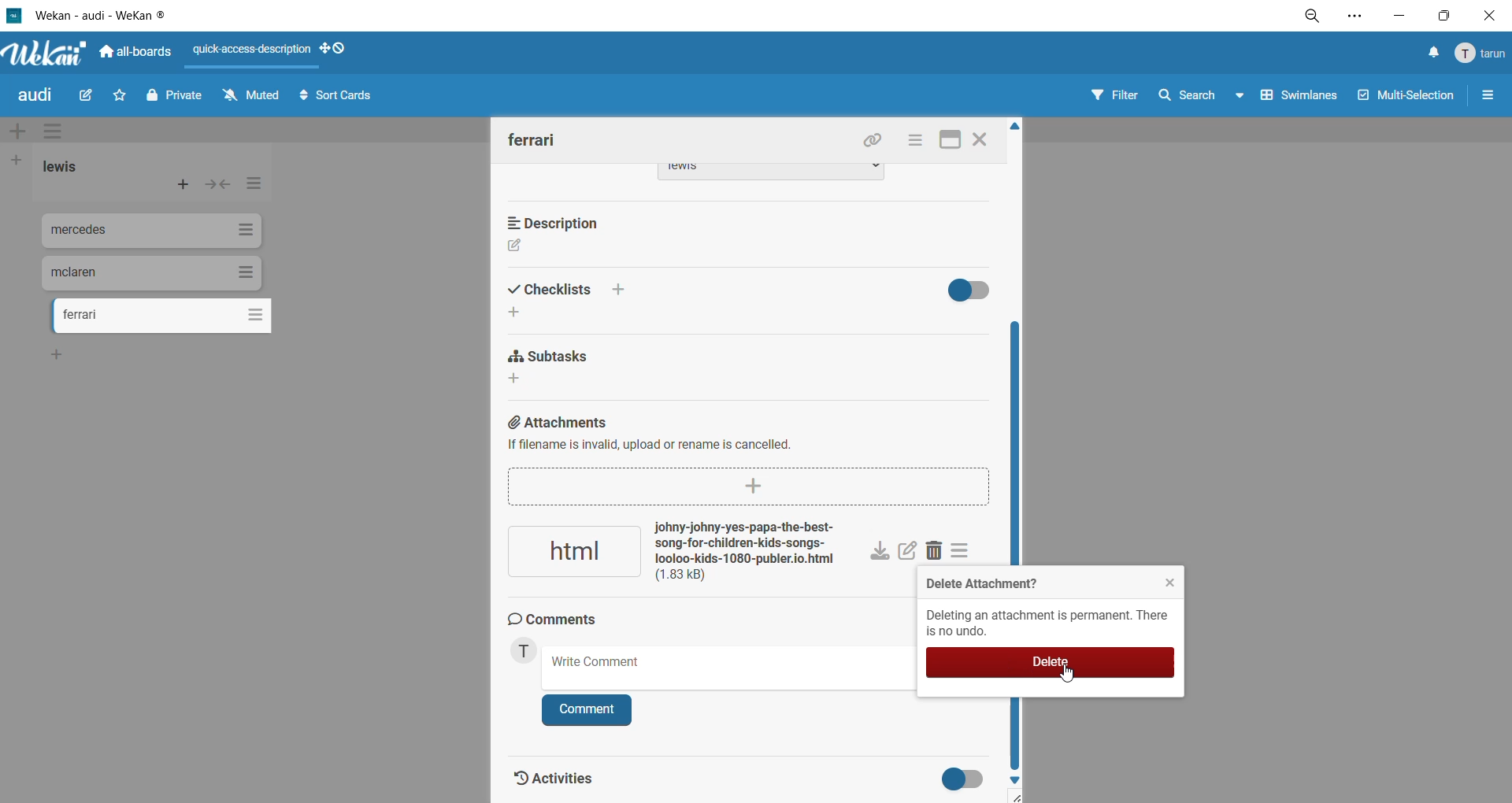 The height and width of the screenshot is (803, 1512). I want to click on comments, so click(561, 621).